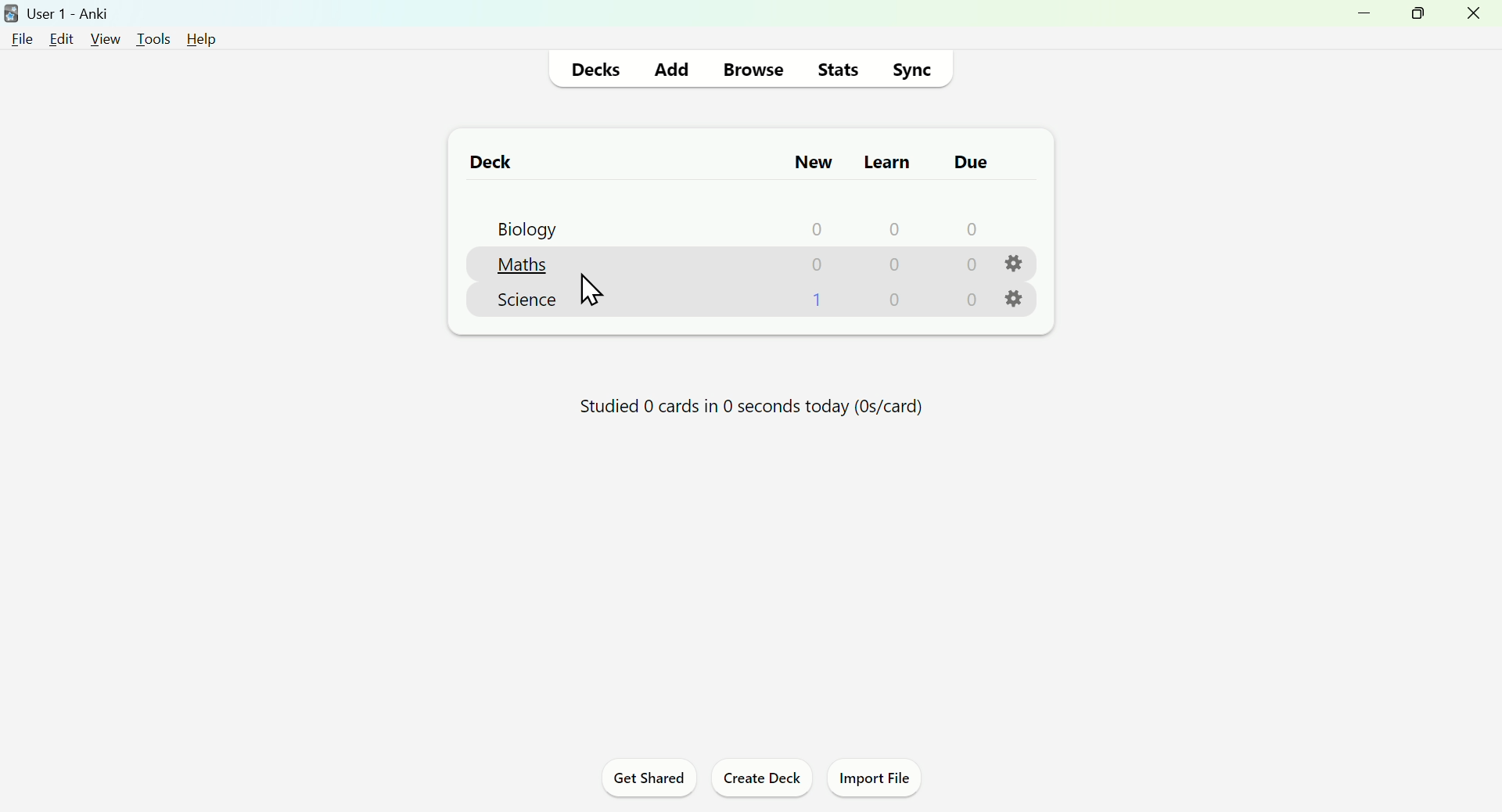 Image resolution: width=1502 pixels, height=812 pixels. I want to click on Help, so click(196, 38).